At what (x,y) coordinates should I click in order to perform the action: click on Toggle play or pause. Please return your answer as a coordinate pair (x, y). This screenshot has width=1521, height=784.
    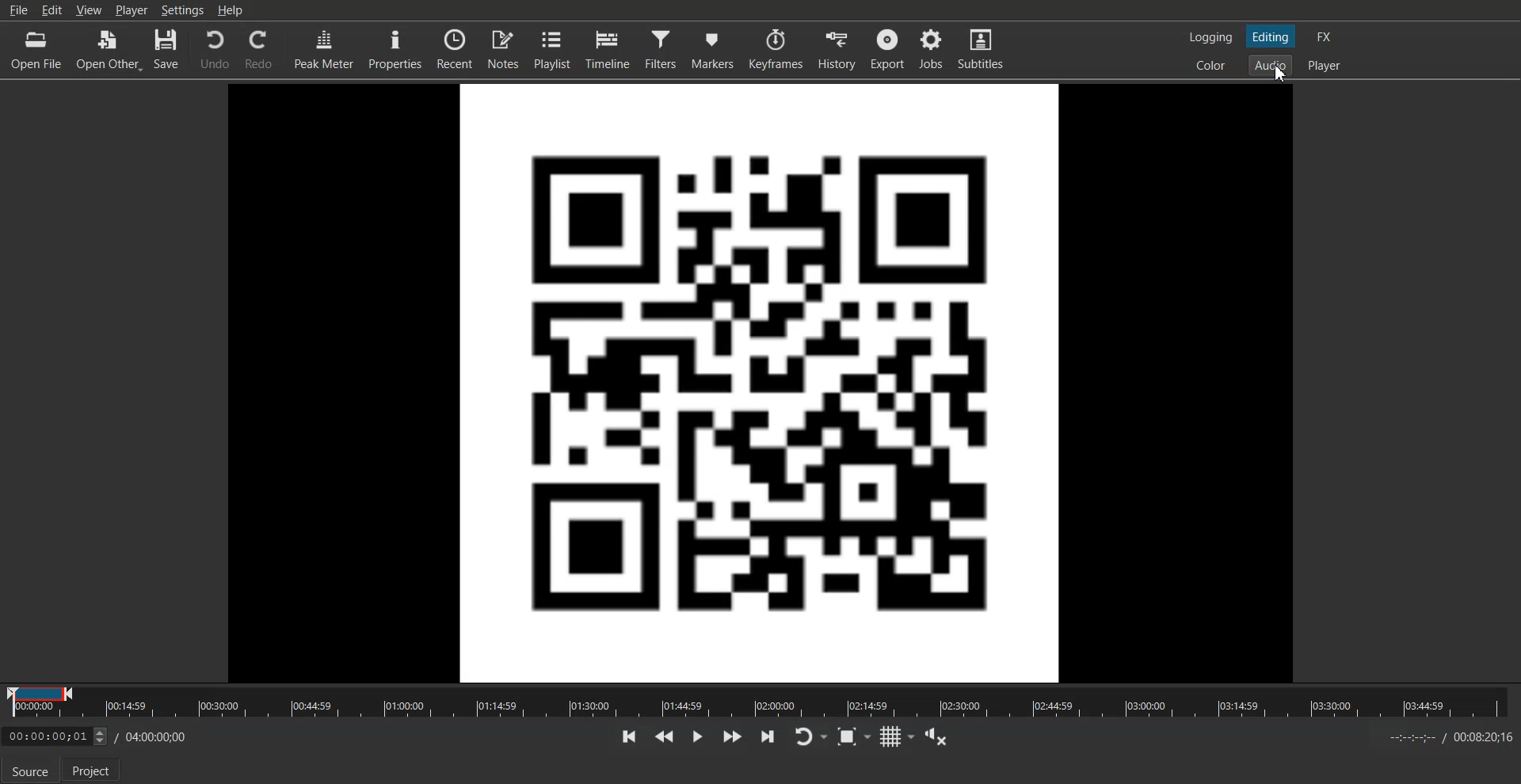
    Looking at the image, I should click on (698, 736).